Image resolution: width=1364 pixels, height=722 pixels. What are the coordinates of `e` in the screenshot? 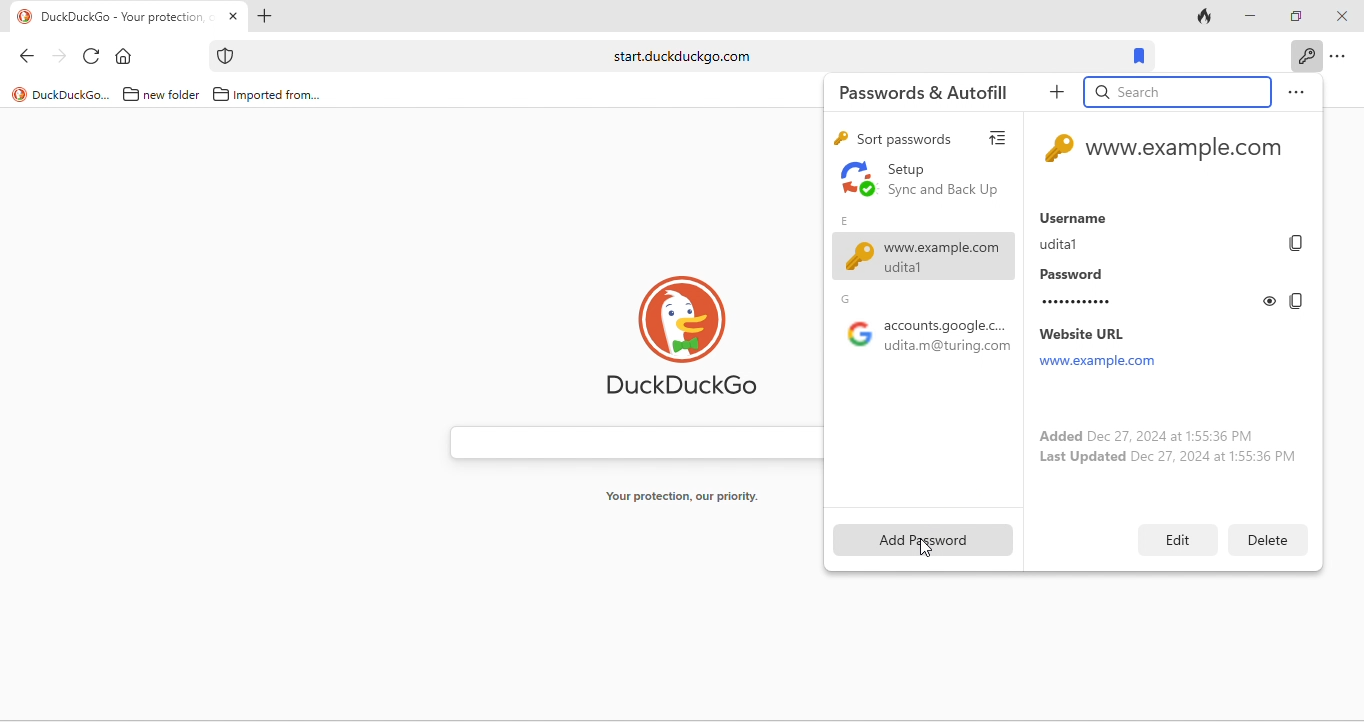 It's located at (846, 221).